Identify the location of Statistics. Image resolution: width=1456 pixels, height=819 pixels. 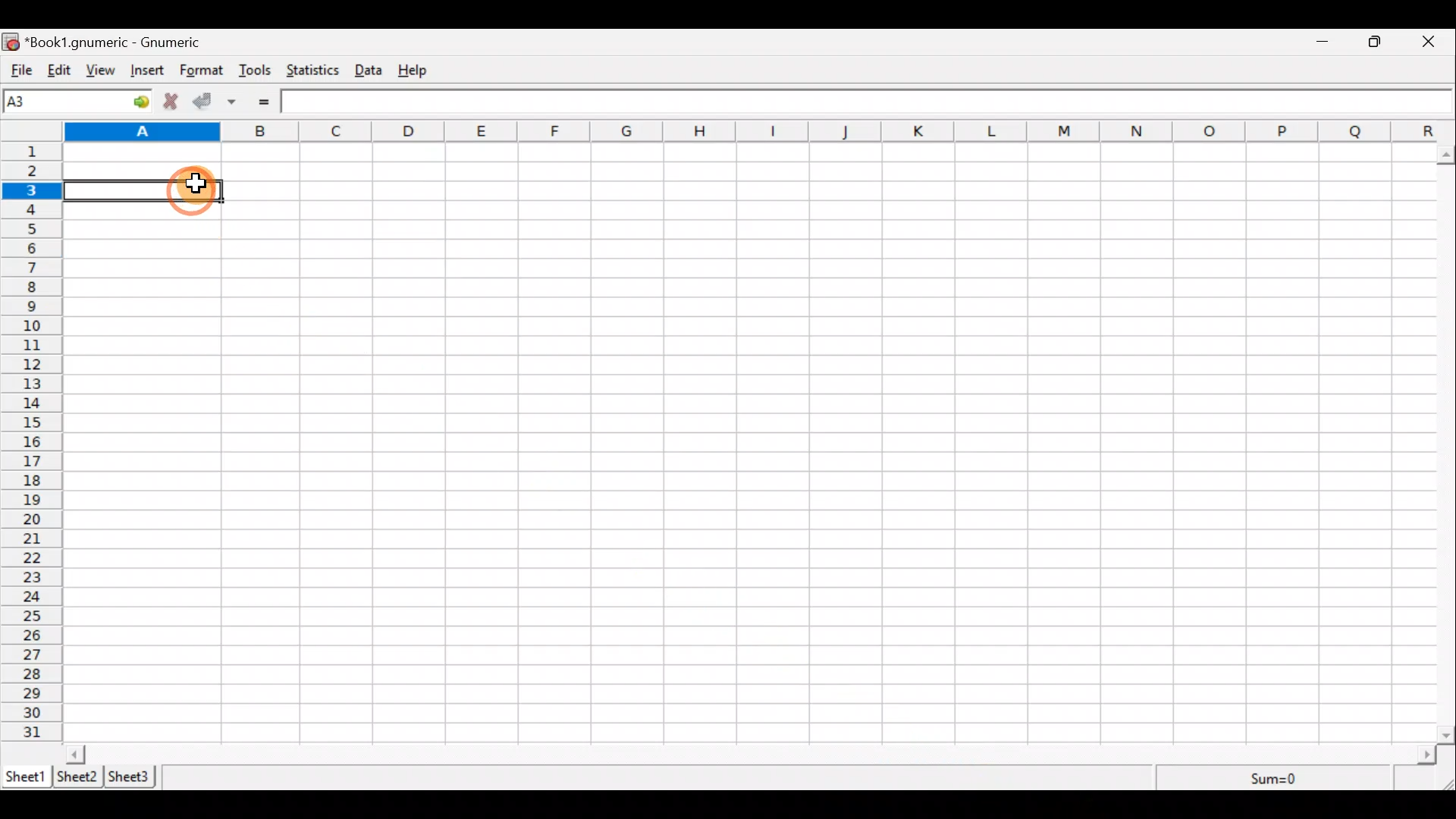
(315, 72).